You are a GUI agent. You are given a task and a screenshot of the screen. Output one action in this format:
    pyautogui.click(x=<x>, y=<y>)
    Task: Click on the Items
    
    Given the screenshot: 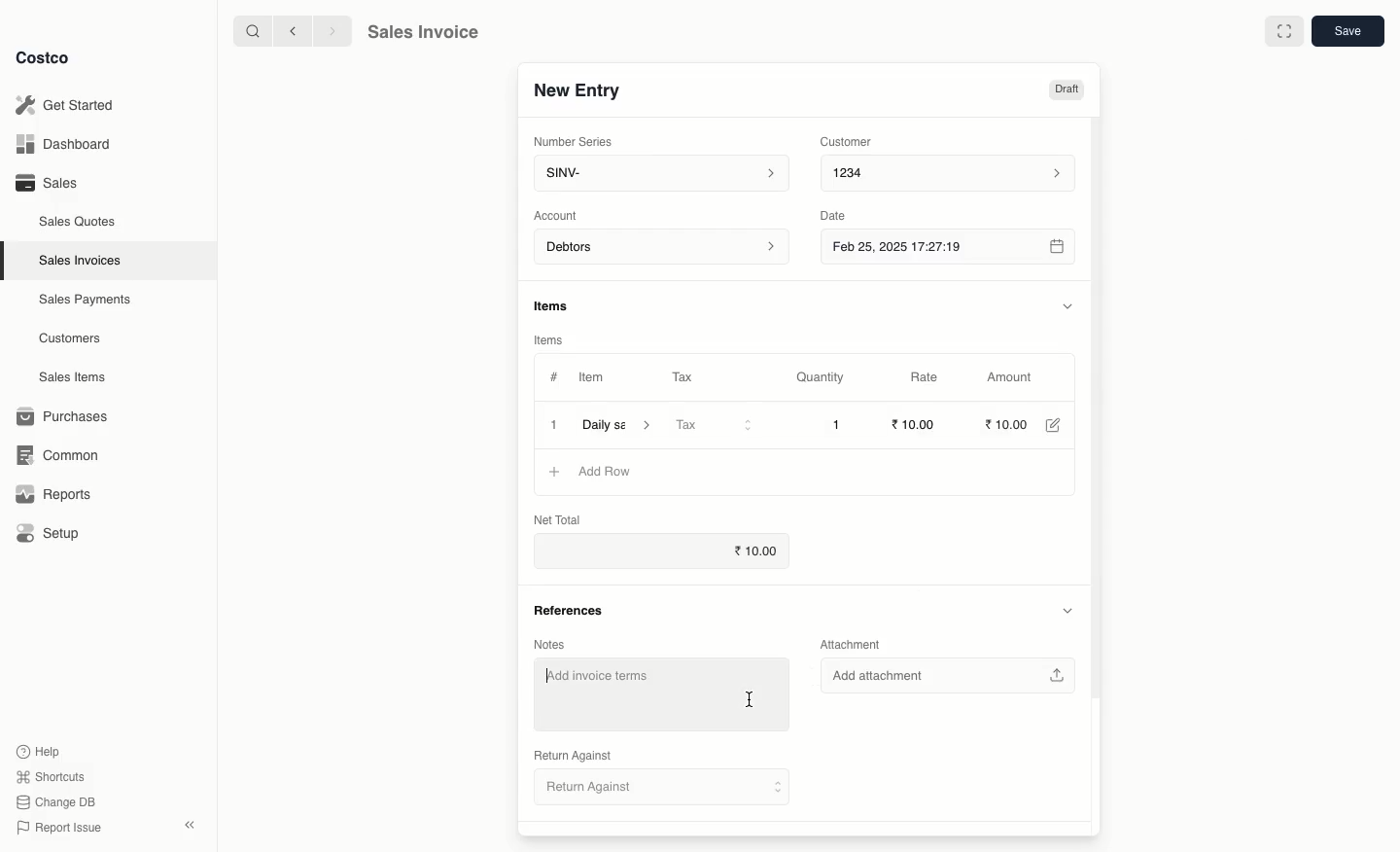 What is the action you would take?
    pyautogui.click(x=549, y=337)
    